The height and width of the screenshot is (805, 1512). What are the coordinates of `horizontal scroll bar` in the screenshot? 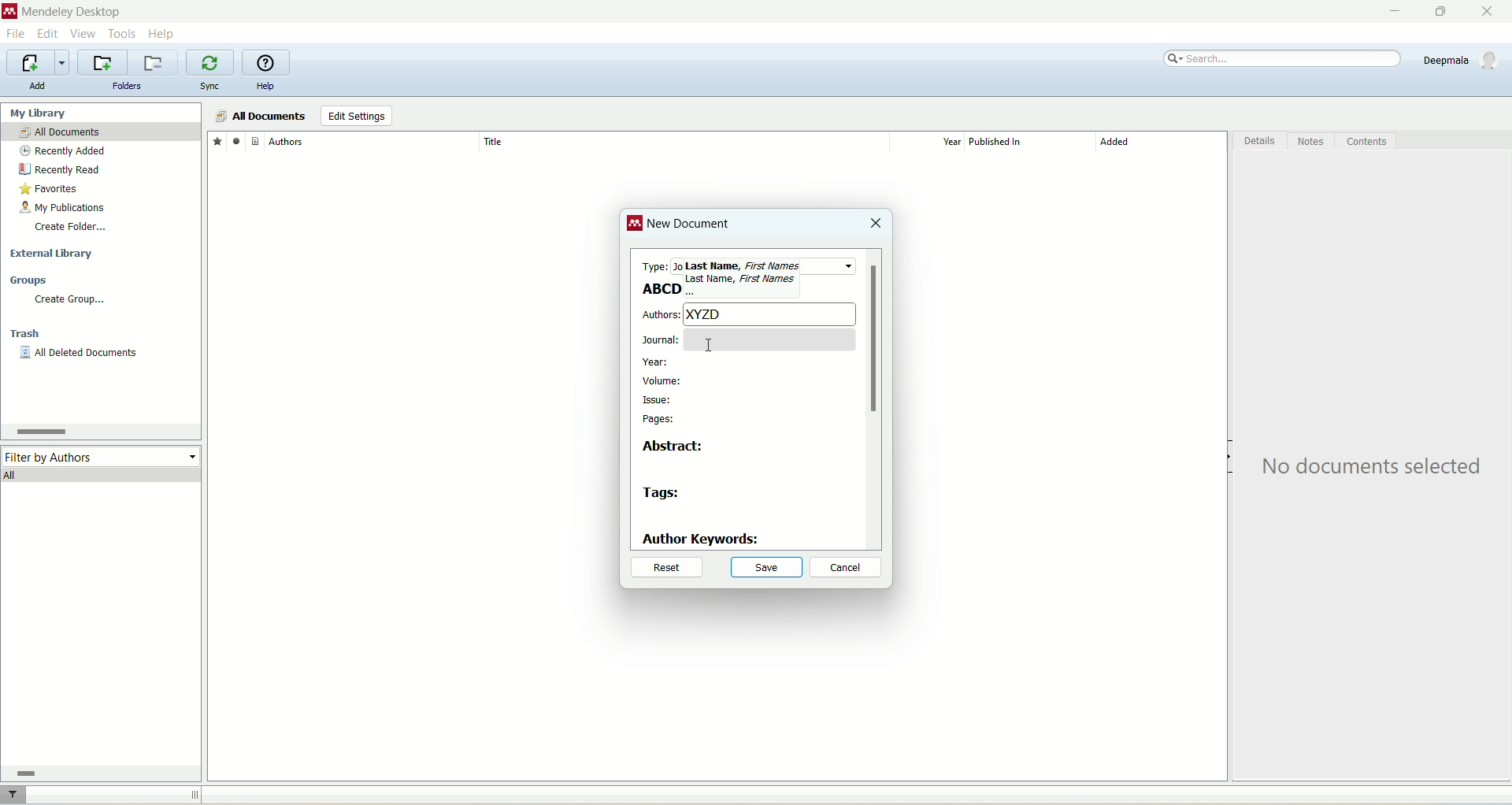 It's located at (98, 773).